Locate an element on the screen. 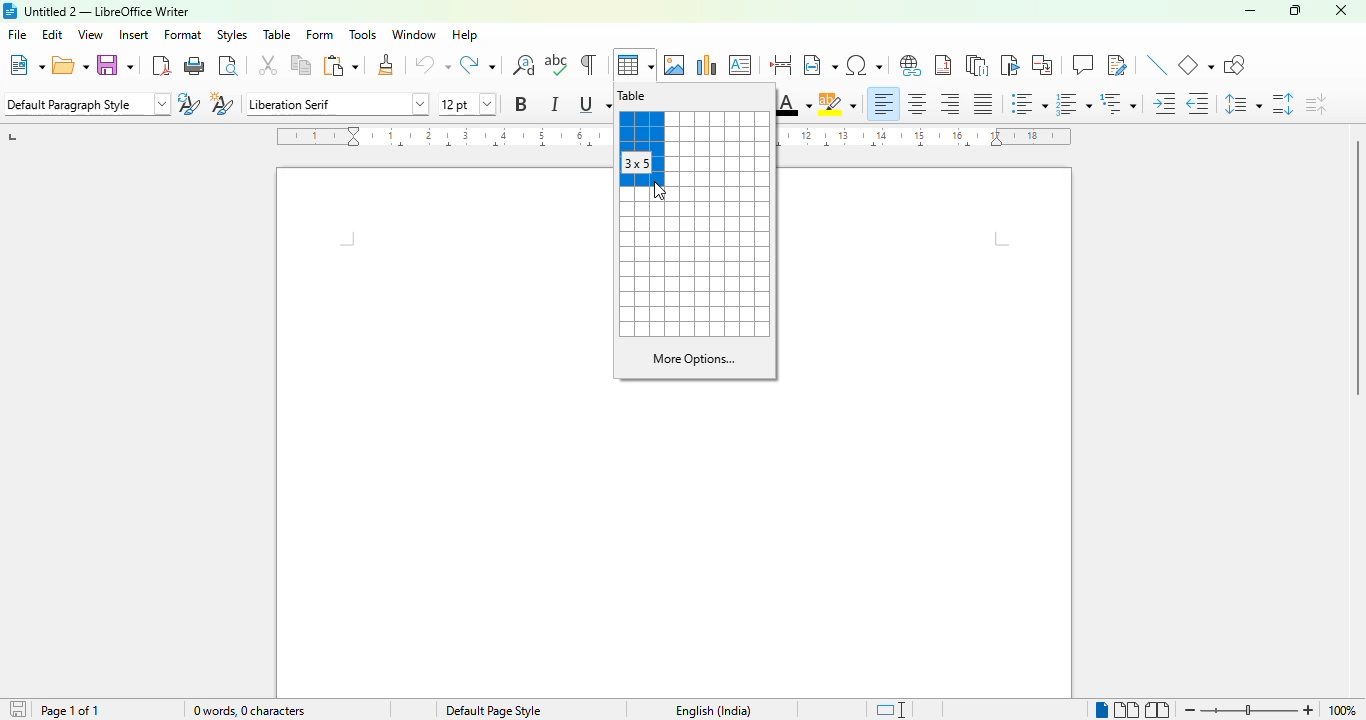 This screenshot has height=720, width=1366. book view is located at coordinates (1158, 711).